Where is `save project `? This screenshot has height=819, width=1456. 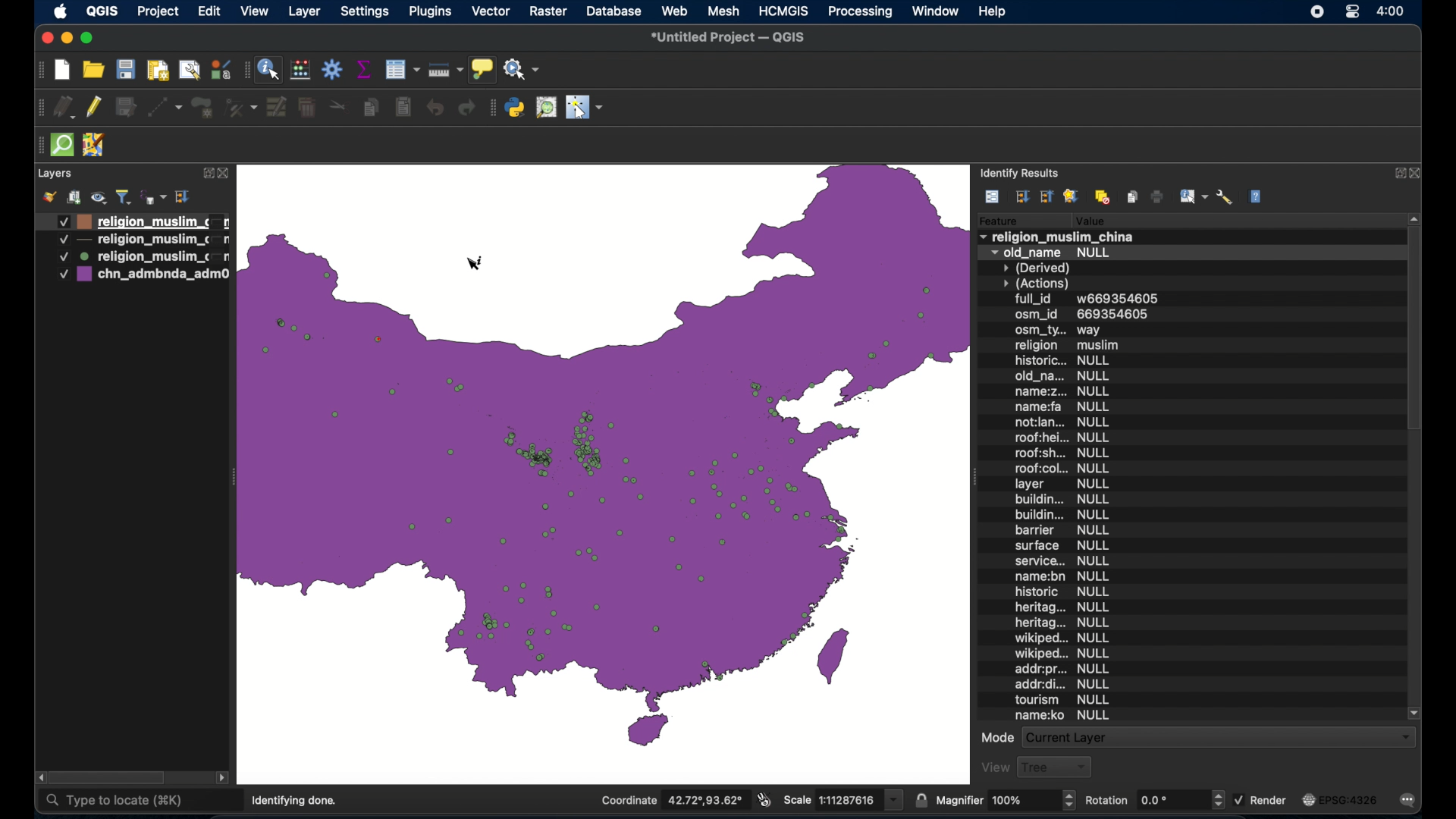 save project  is located at coordinates (124, 69).